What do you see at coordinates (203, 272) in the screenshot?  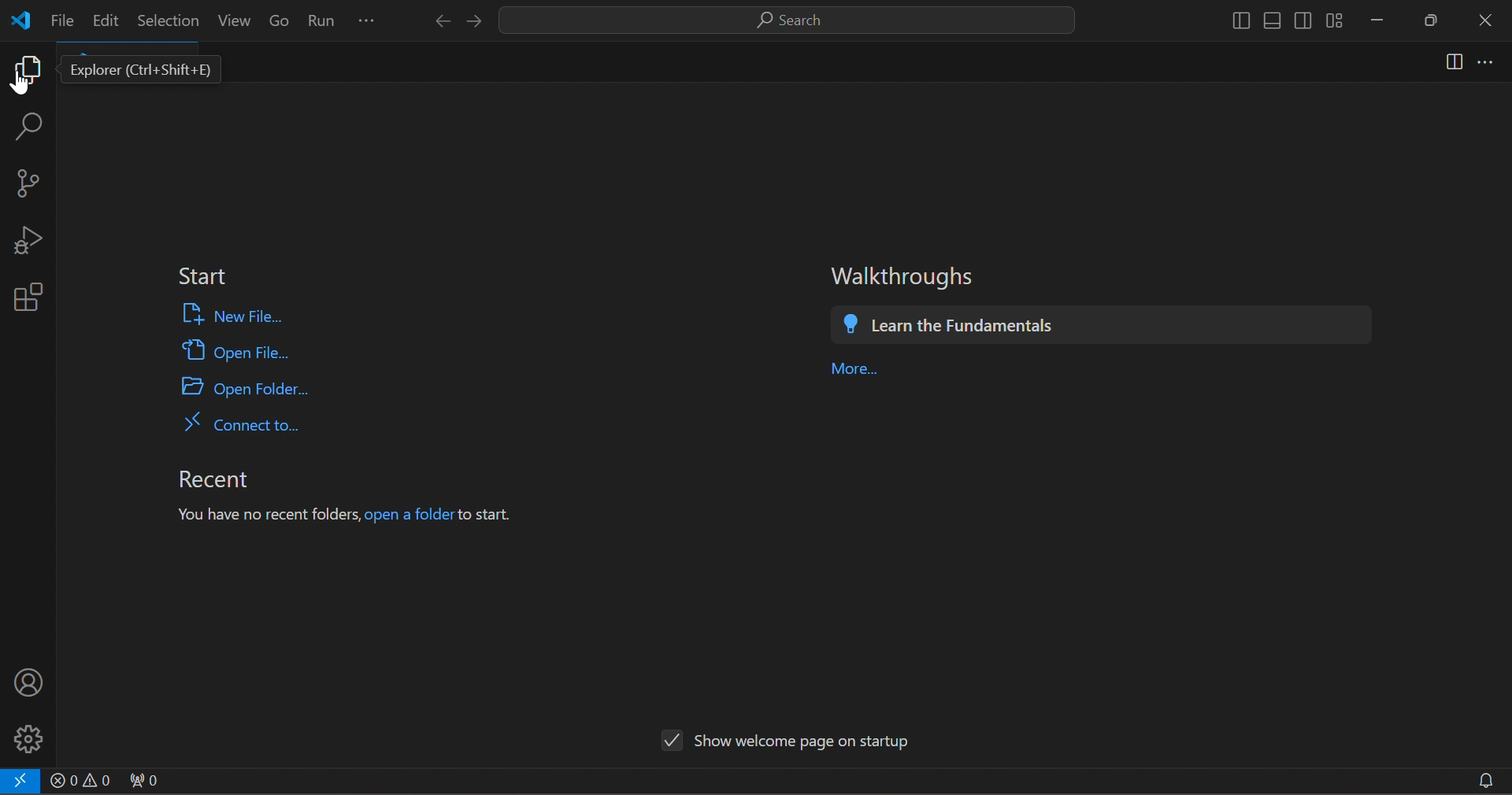 I see `start` at bounding box center [203, 272].